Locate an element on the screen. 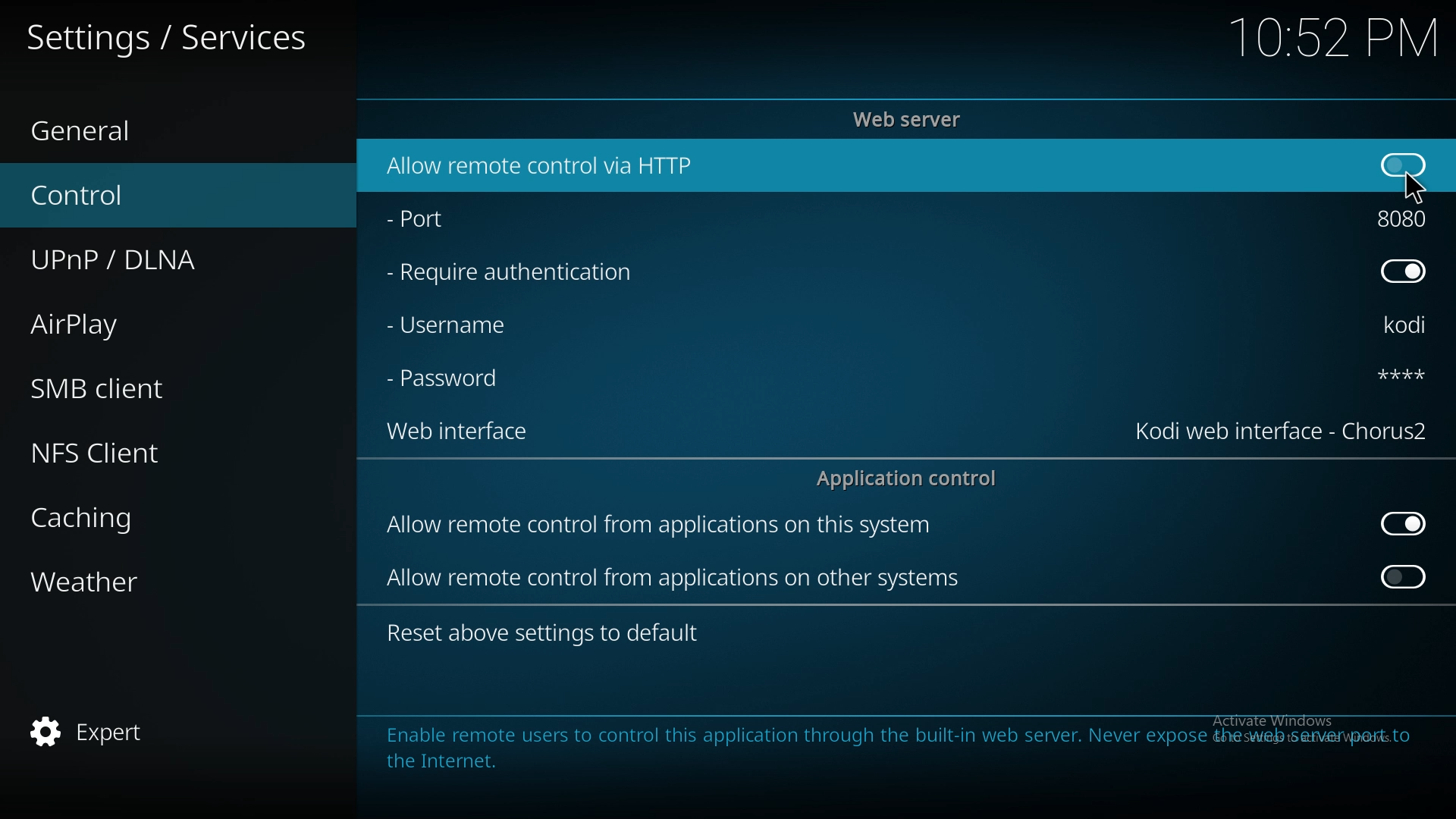  allow remote control from apps on this system is located at coordinates (661, 528).